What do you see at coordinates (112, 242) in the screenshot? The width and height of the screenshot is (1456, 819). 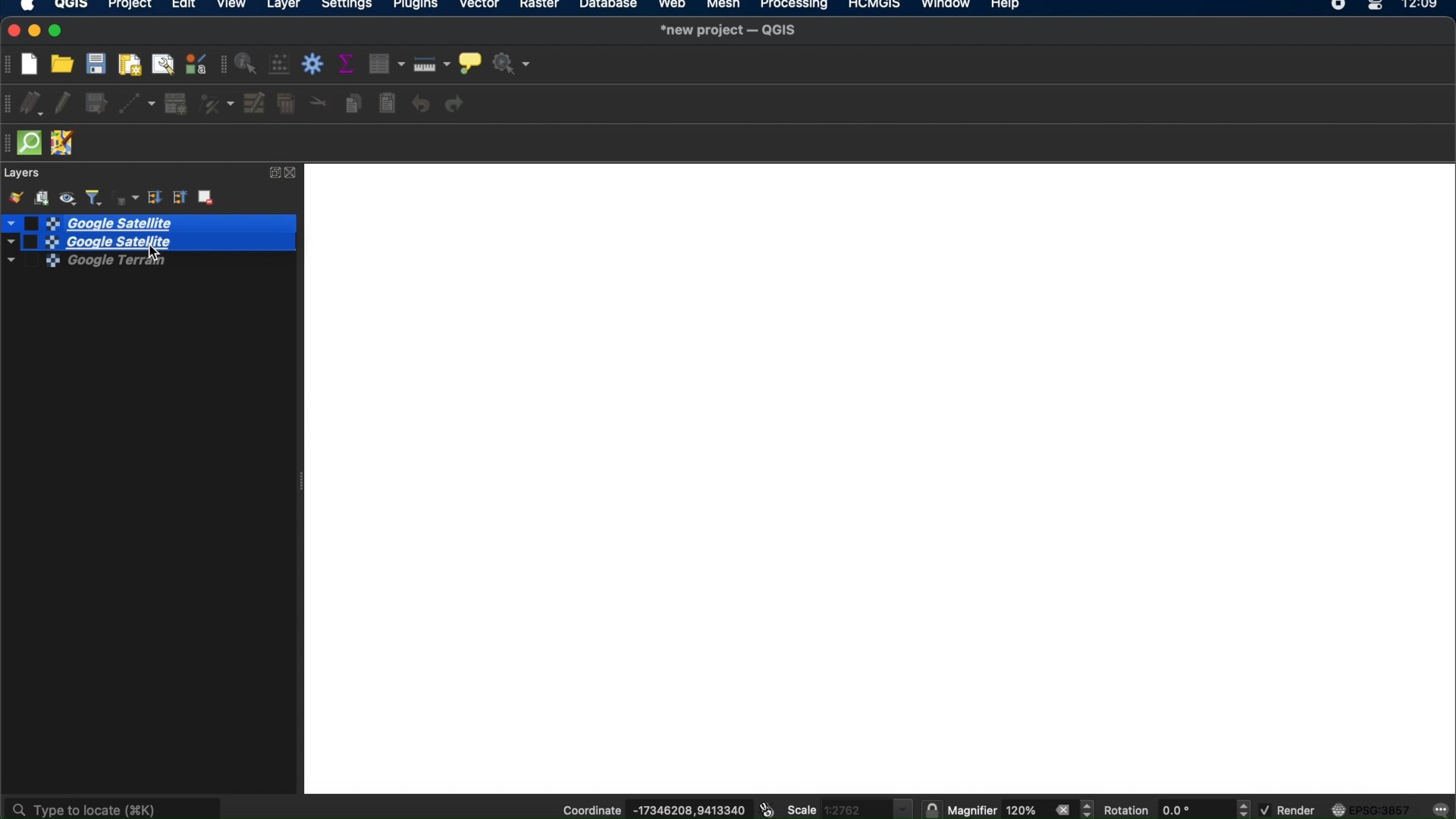 I see `Google Satellite` at bounding box center [112, 242].